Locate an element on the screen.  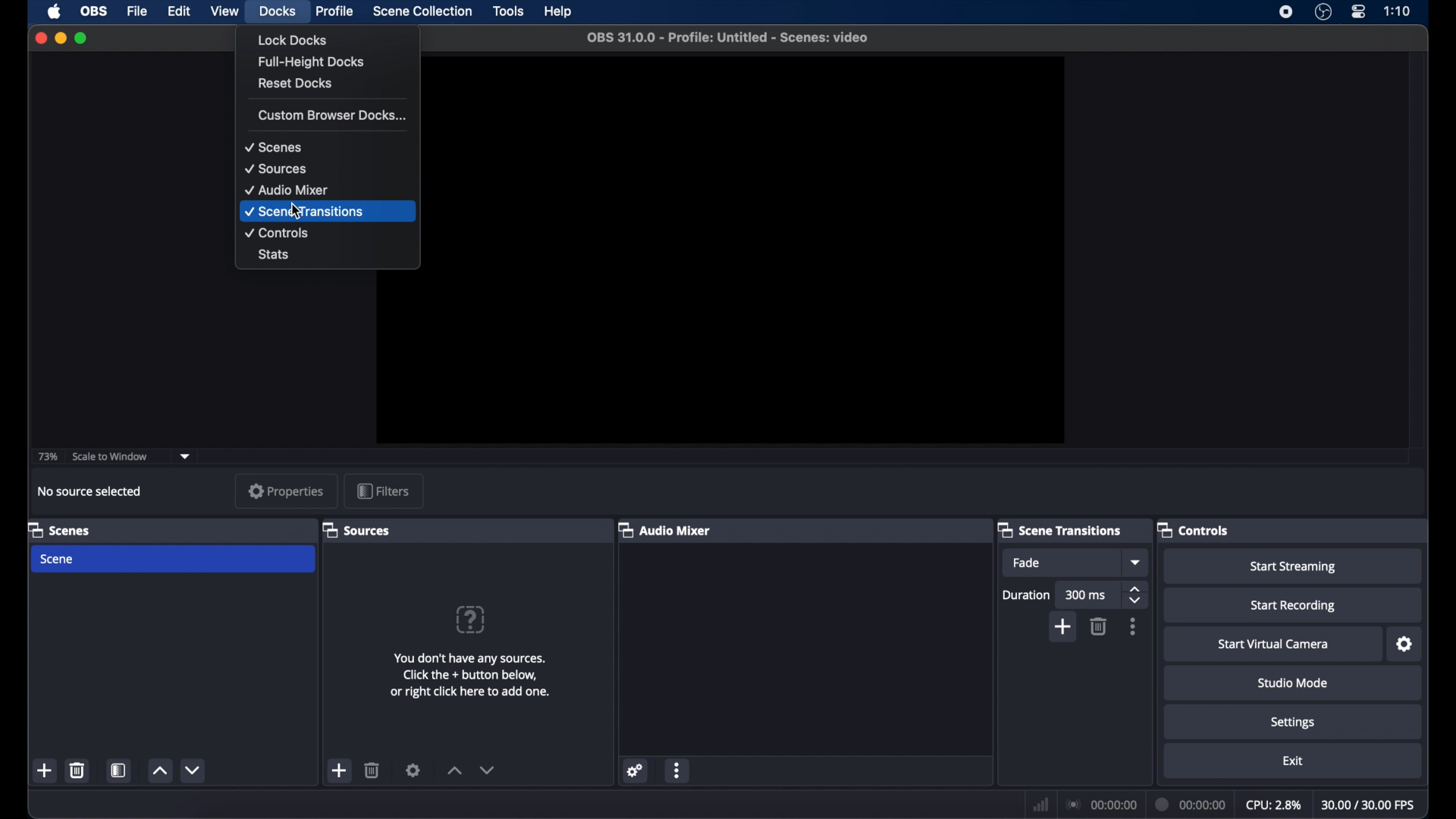
audio mixer is located at coordinates (669, 529).